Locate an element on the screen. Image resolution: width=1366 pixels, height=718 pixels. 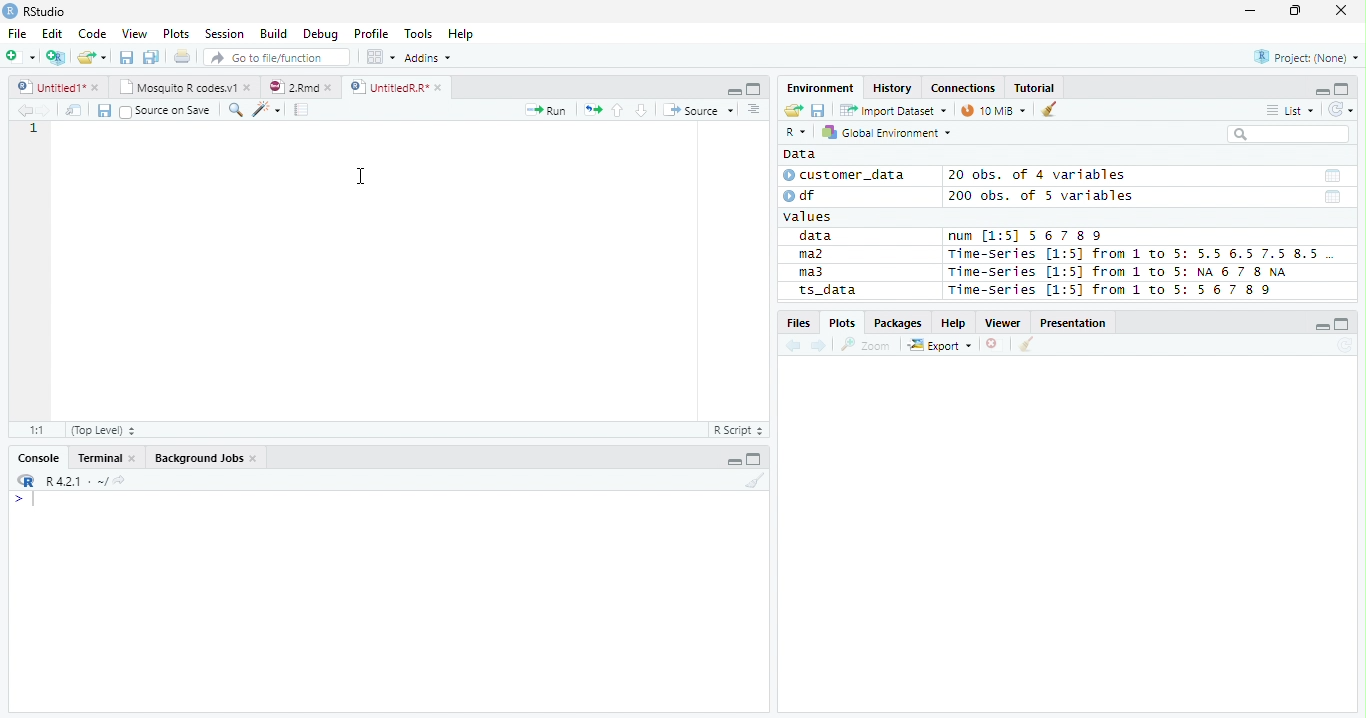
Presentation is located at coordinates (1076, 323).